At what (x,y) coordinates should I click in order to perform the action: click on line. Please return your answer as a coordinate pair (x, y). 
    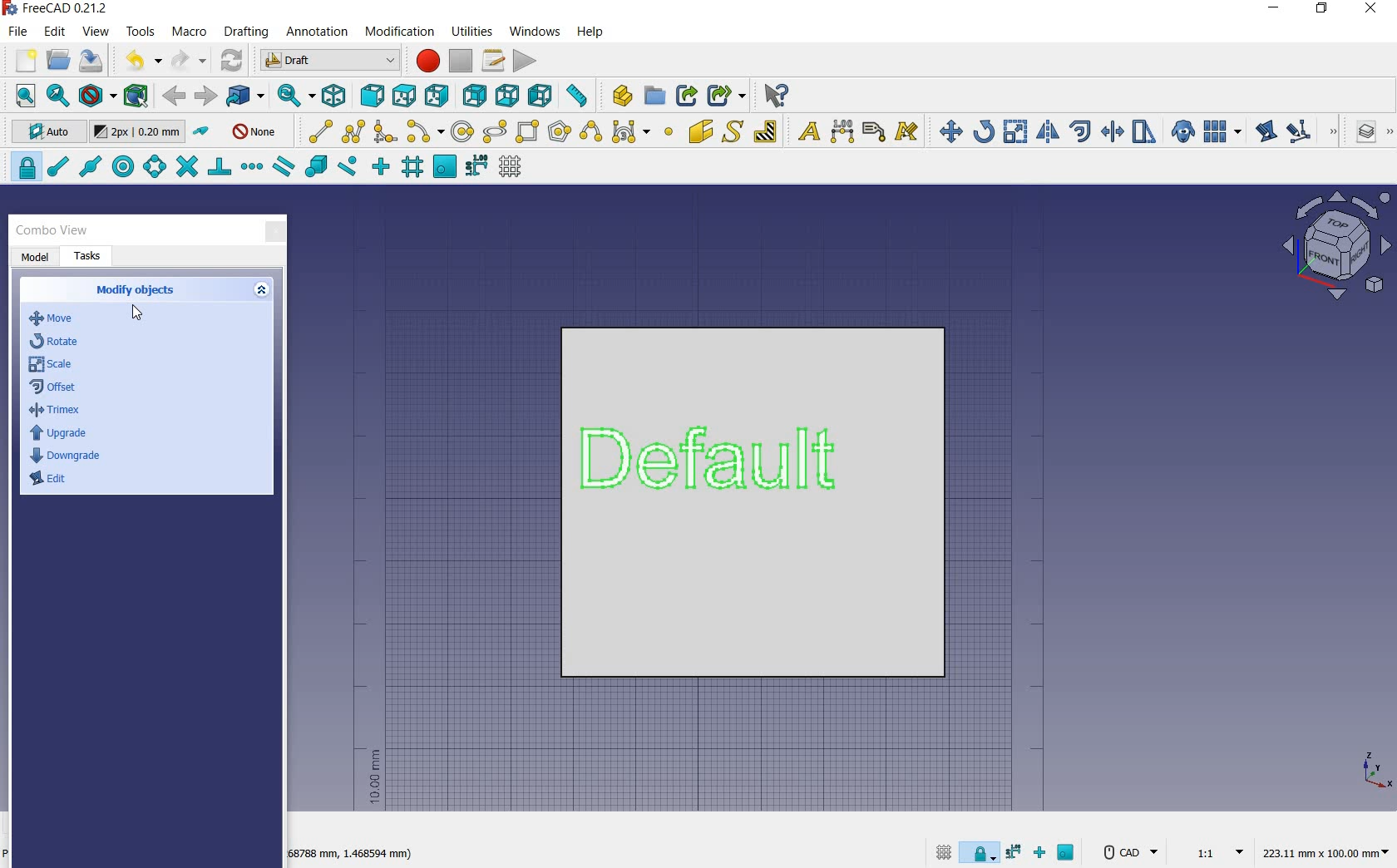
    Looking at the image, I should click on (316, 131).